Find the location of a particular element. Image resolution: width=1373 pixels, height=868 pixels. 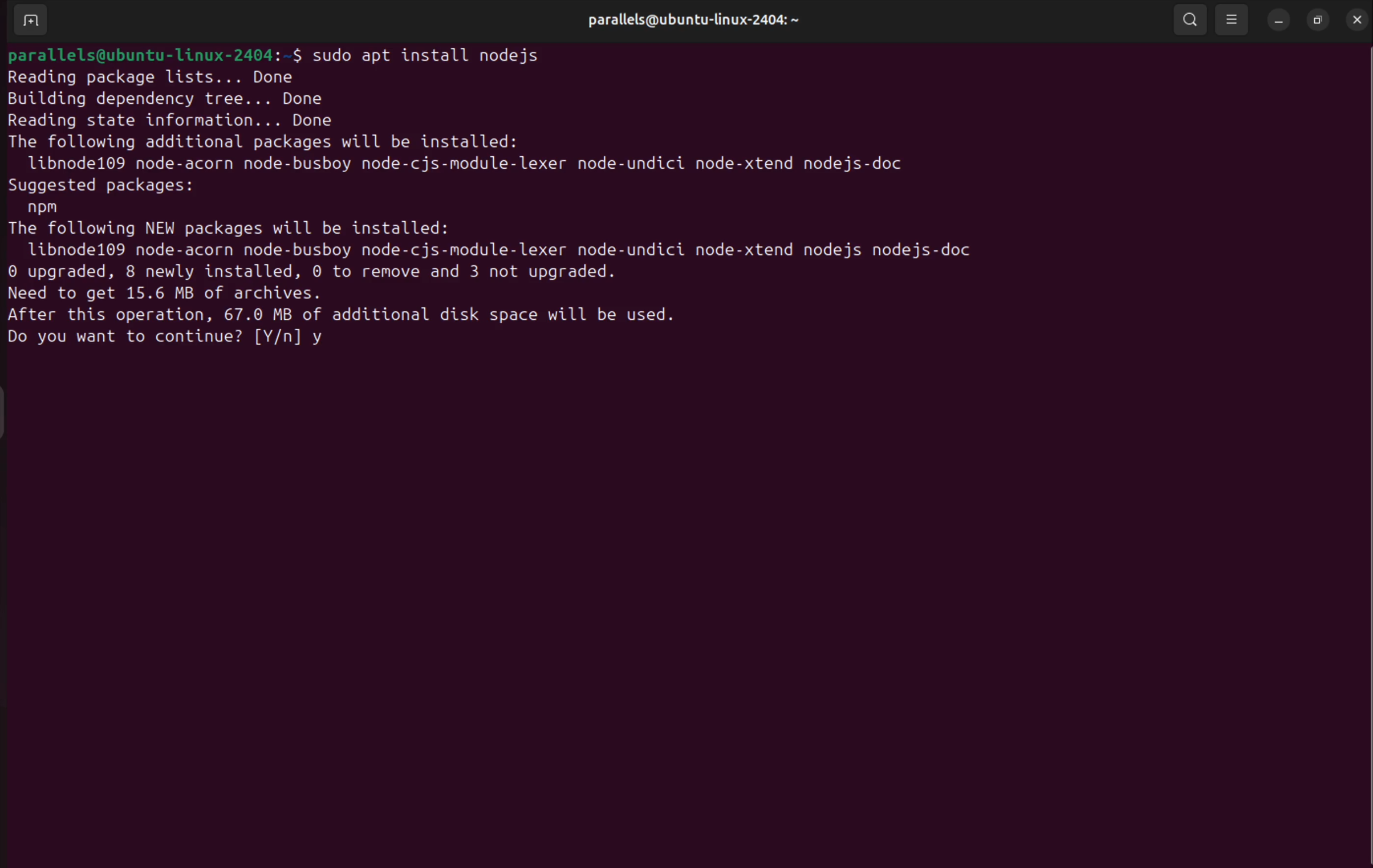

Scroll bar is located at coordinates (1364, 445).